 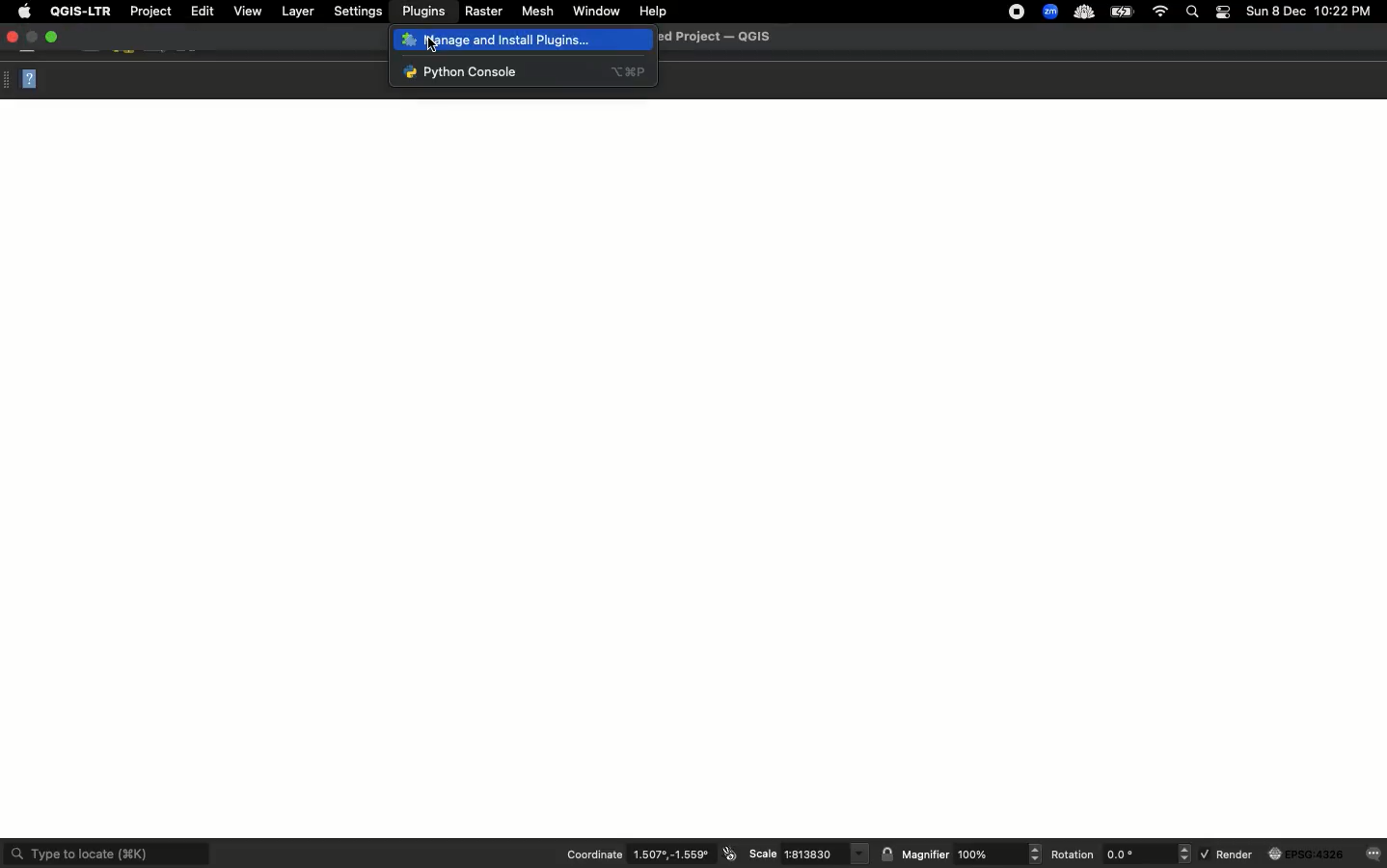 I want to click on recording, so click(x=1012, y=12).